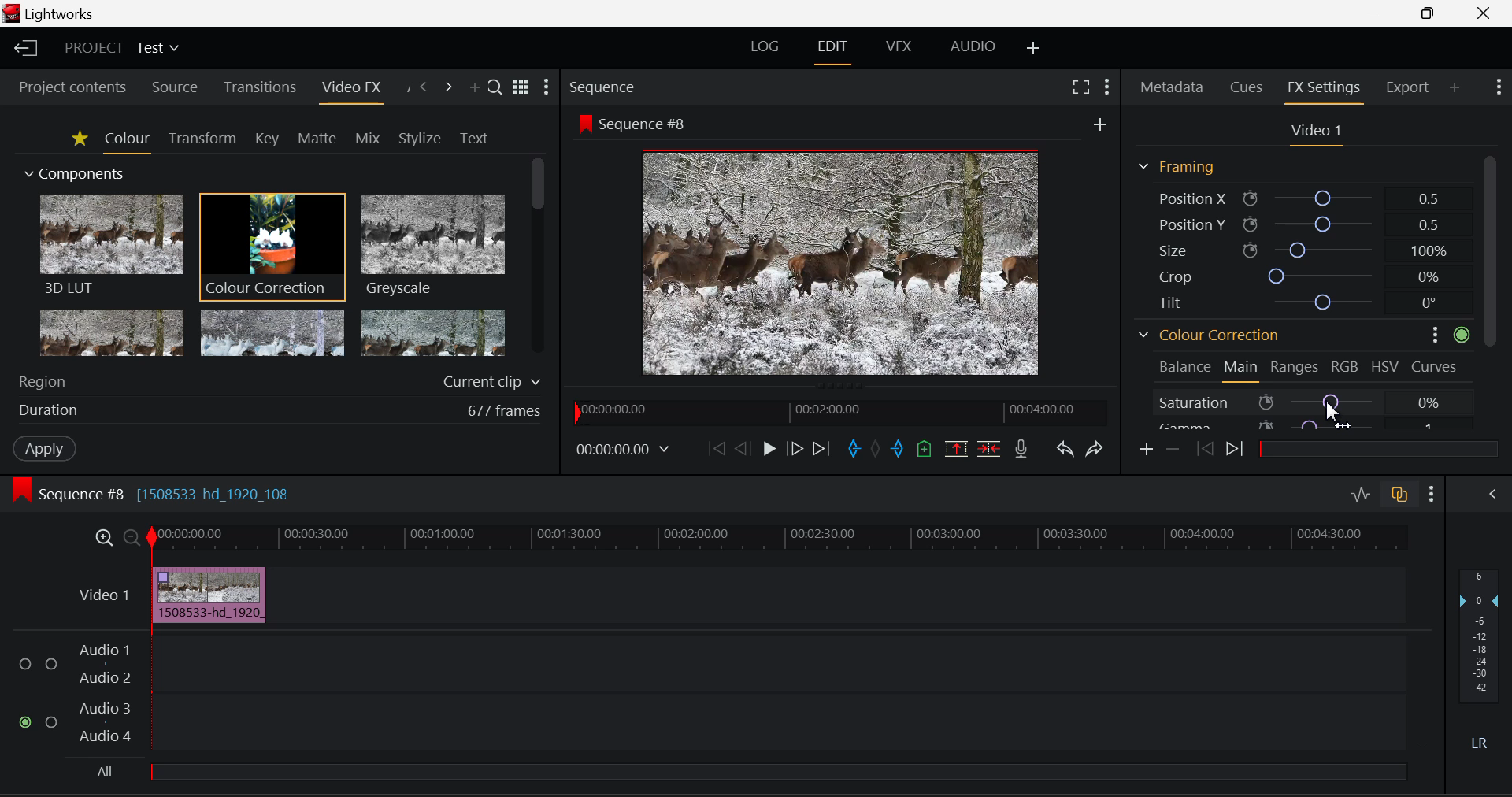  What do you see at coordinates (1345, 366) in the screenshot?
I see `RGB` at bounding box center [1345, 366].